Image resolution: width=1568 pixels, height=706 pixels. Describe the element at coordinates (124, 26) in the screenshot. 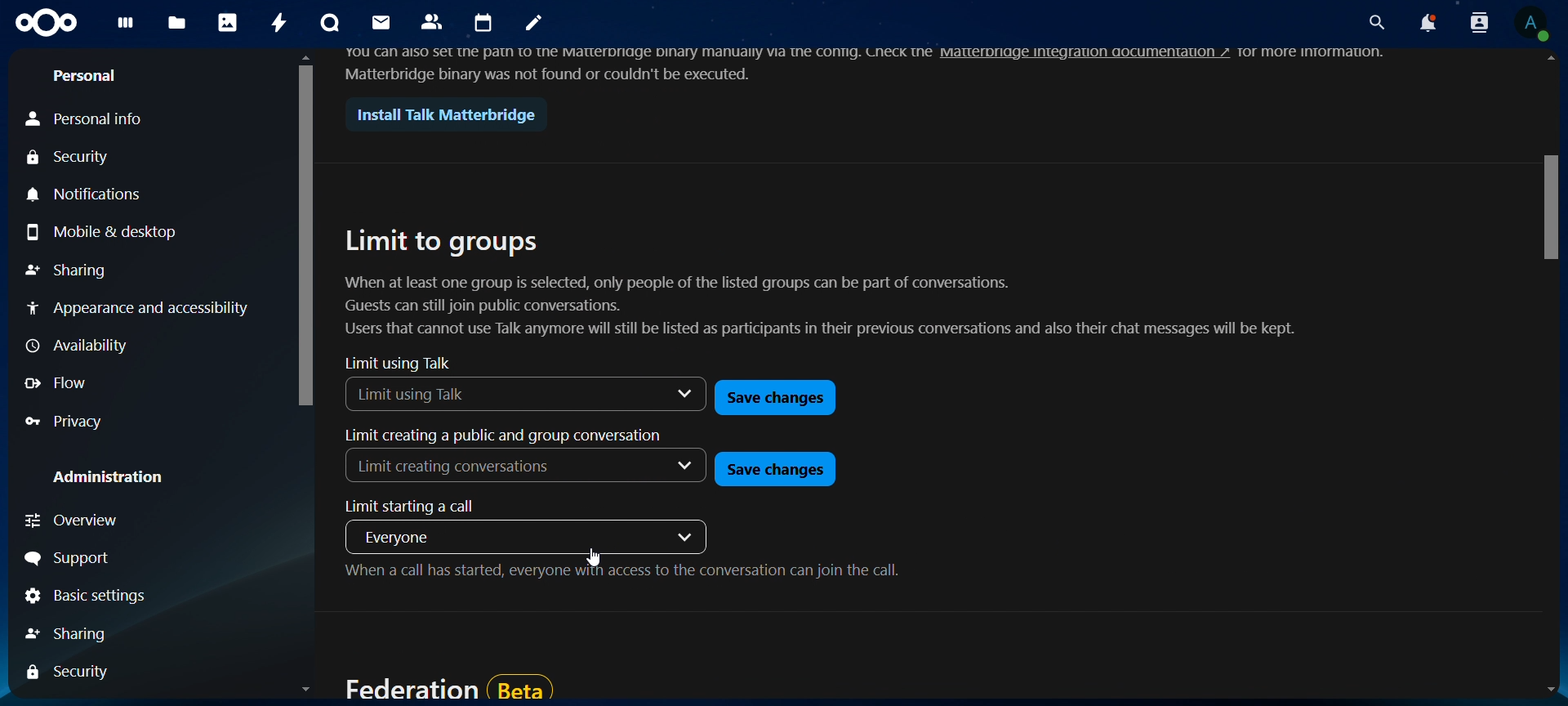

I see `dashboard` at that location.